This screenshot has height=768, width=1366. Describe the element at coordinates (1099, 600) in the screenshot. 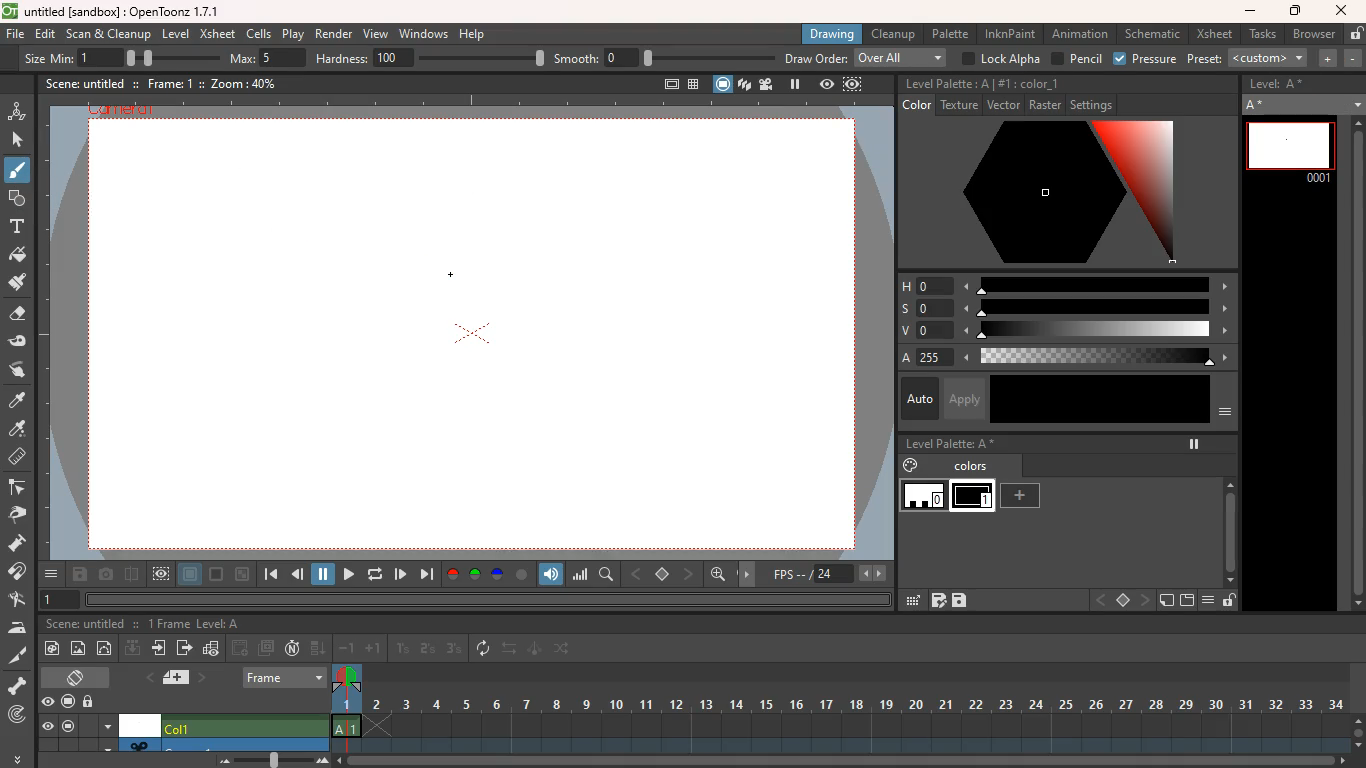

I see `back` at that location.